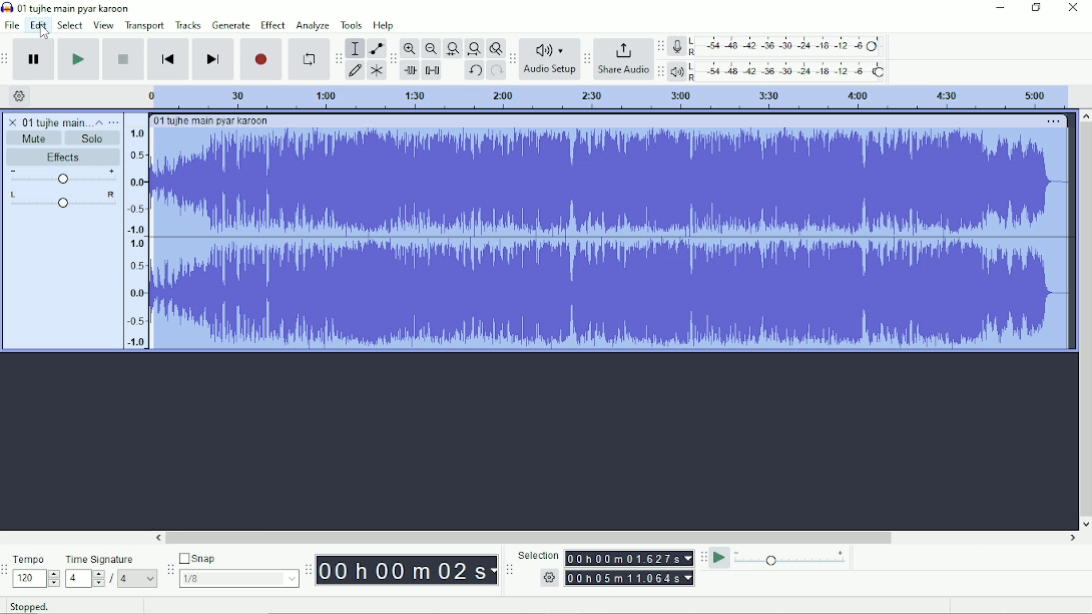 The width and height of the screenshot is (1092, 614). What do you see at coordinates (1085, 319) in the screenshot?
I see `Vertical scrollbar` at bounding box center [1085, 319].